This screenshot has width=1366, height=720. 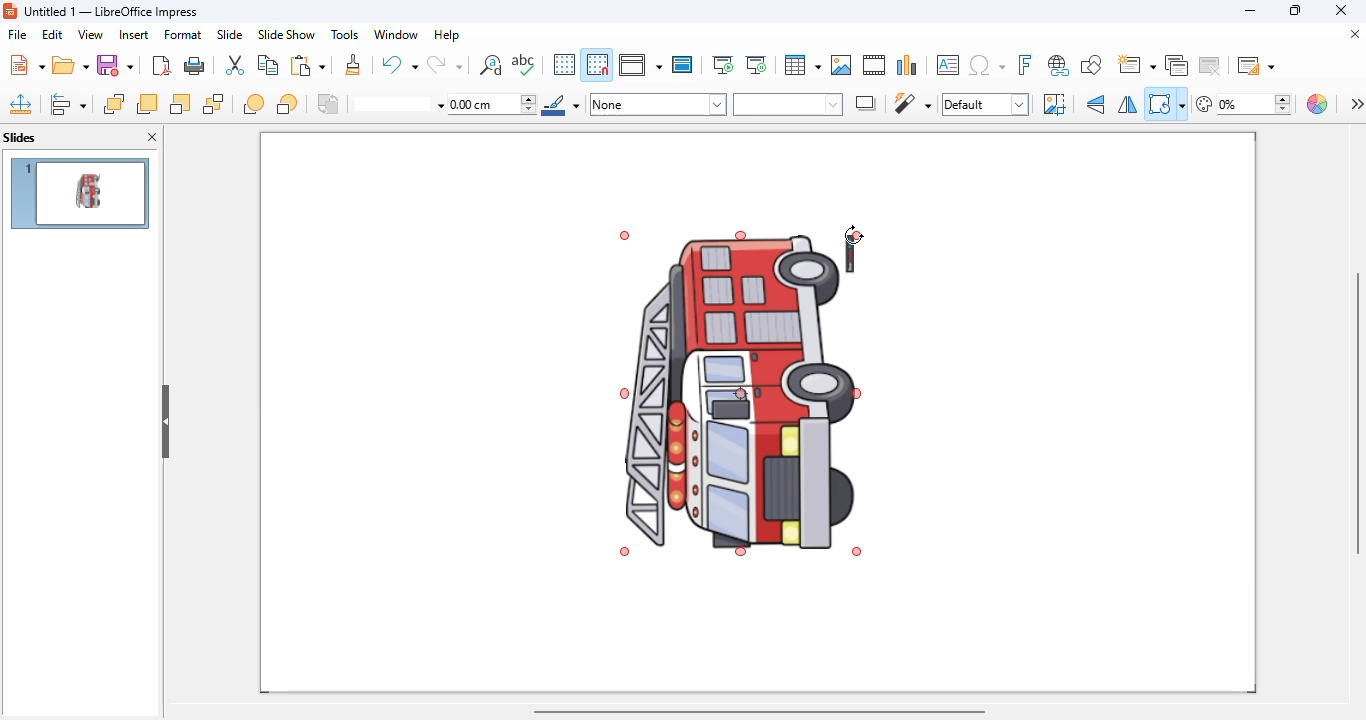 What do you see at coordinates (1340, 10) in the screenshot?
I see `close` at bounding box center [1340, 10].